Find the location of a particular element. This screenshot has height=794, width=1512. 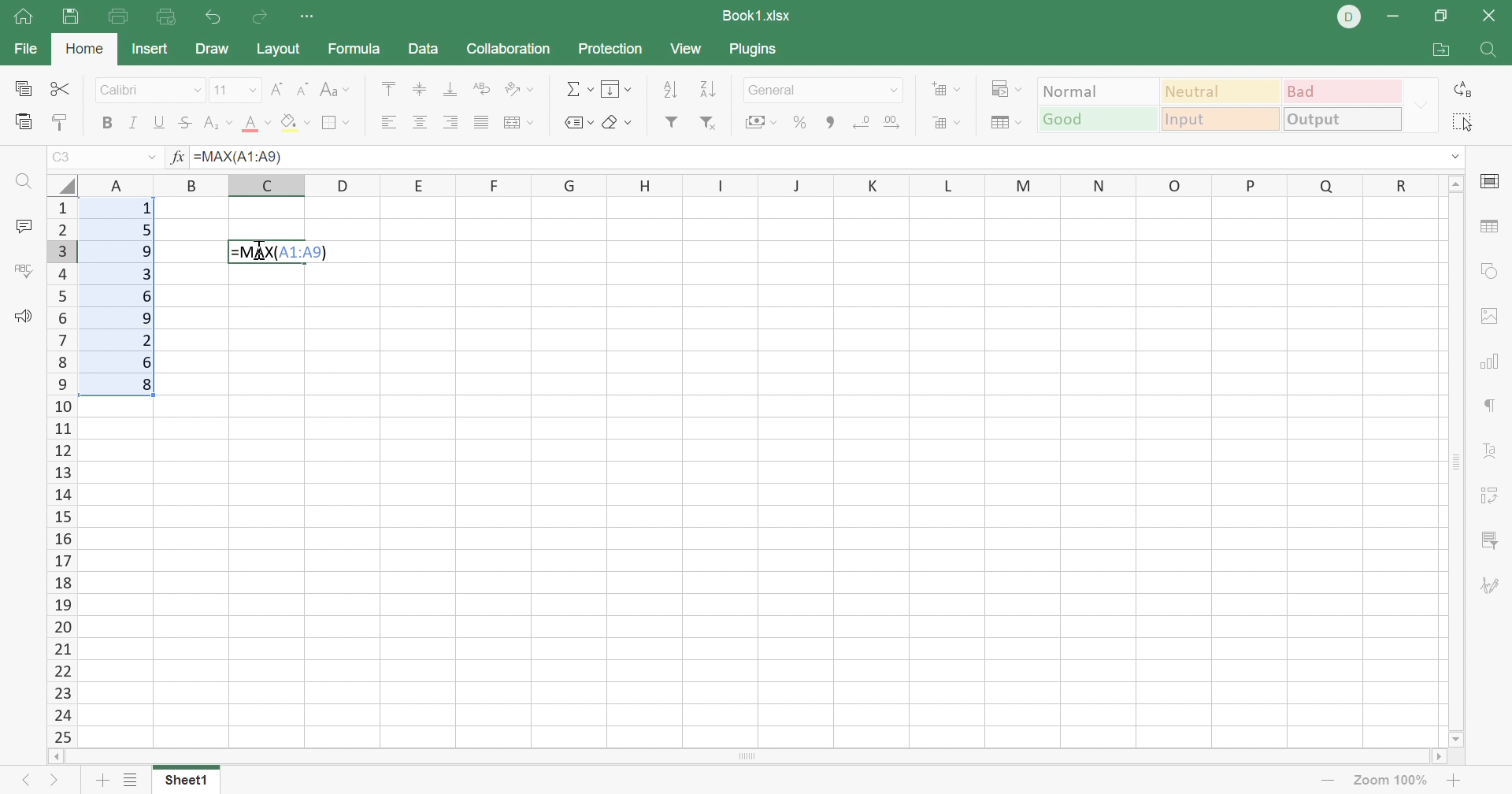

Zoom out is located at coordinates (1324, 783).